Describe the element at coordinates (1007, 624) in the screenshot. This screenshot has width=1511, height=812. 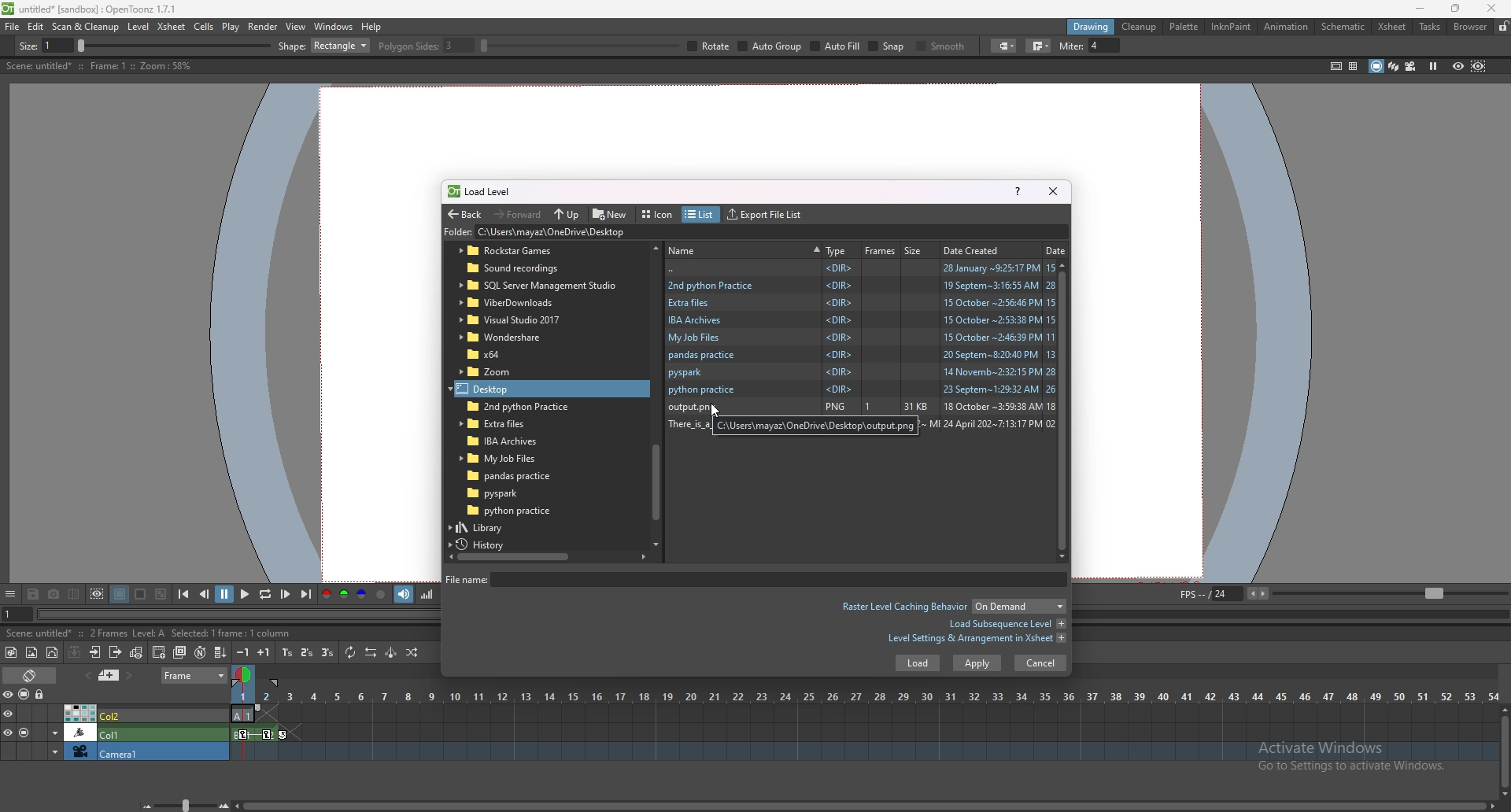
I see `load subsequence level` at that location.